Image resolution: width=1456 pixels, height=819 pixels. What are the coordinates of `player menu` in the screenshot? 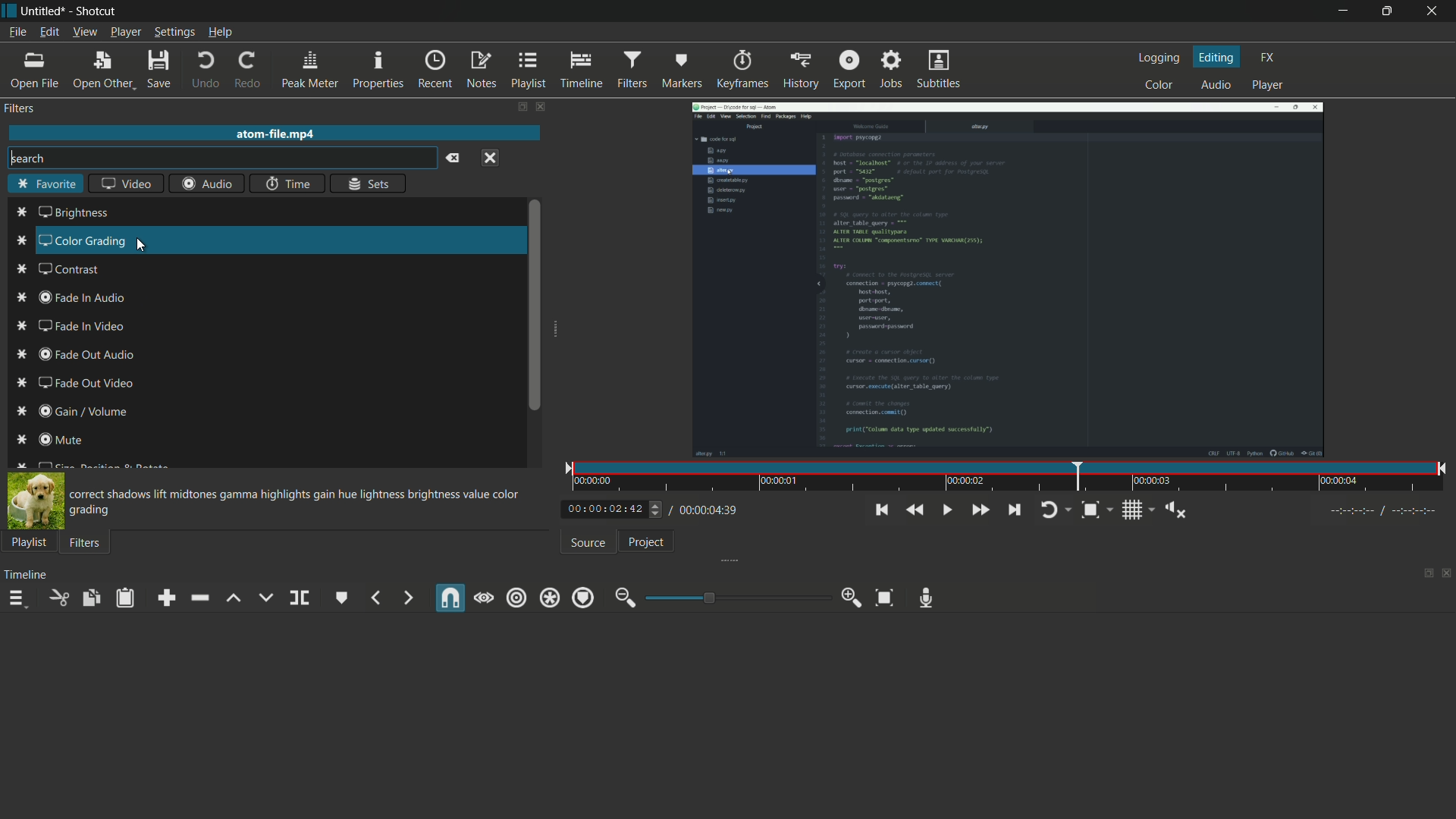 It's located at (125, 32).